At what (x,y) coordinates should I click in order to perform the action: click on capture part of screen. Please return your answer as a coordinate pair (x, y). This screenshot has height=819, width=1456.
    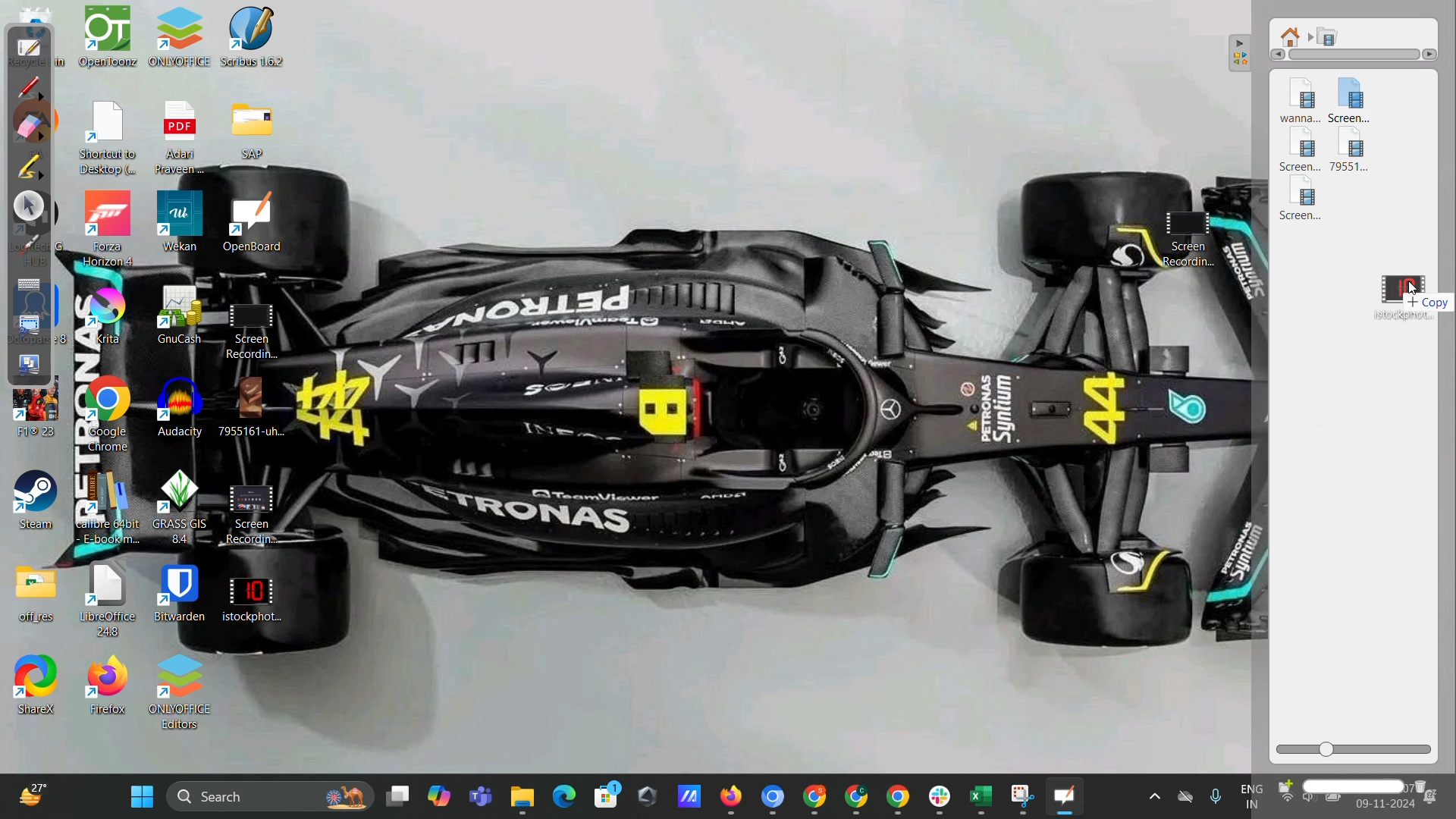
    Looking at the image, I should click on (27, 322).